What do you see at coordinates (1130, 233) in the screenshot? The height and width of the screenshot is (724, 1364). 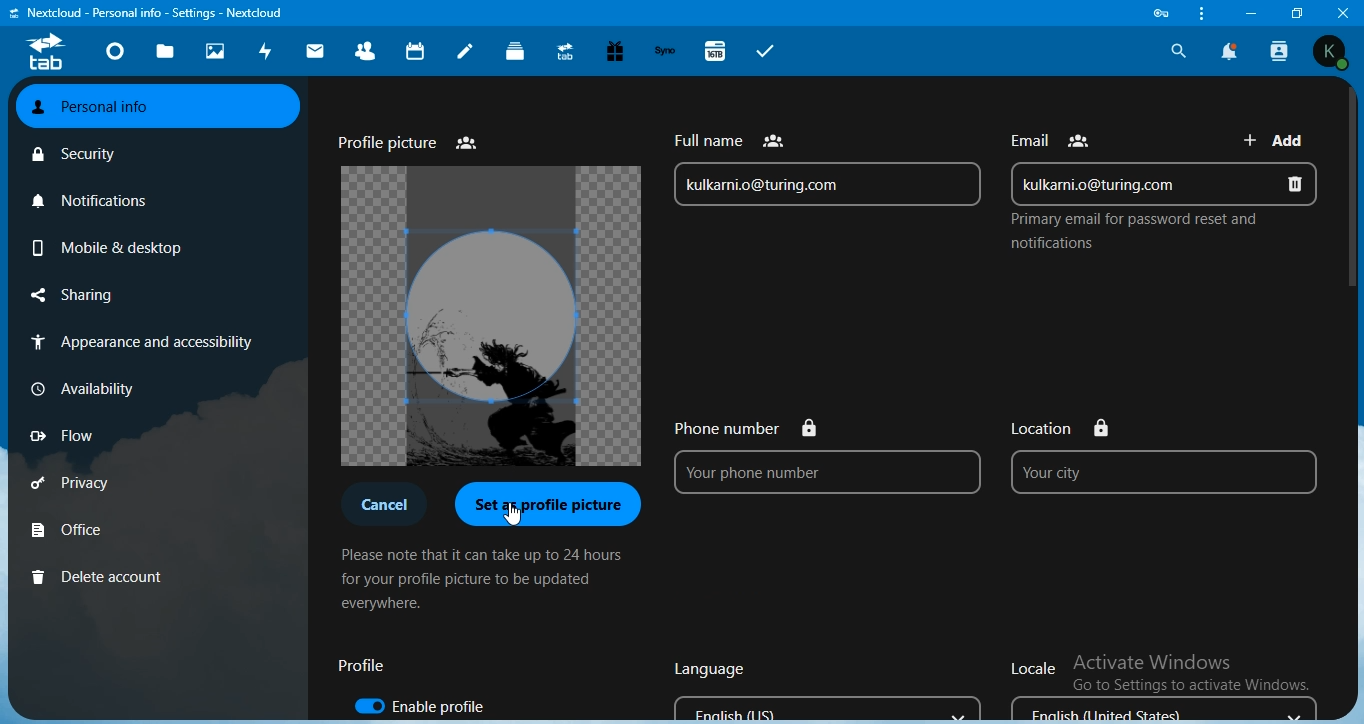 I see `text` at bounding box center [1130, 233].